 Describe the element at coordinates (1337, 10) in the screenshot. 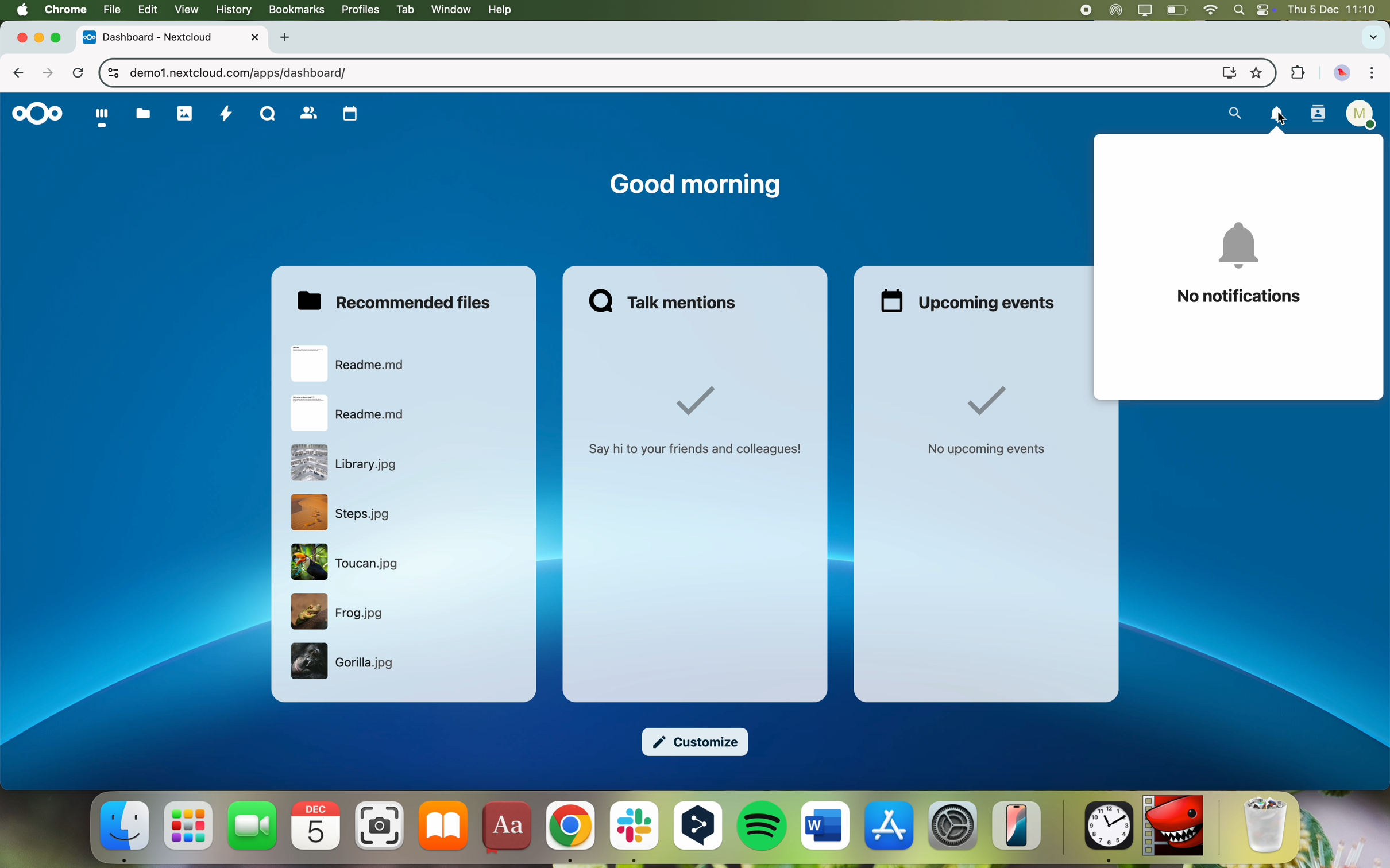

I see `date and hour` at that location.